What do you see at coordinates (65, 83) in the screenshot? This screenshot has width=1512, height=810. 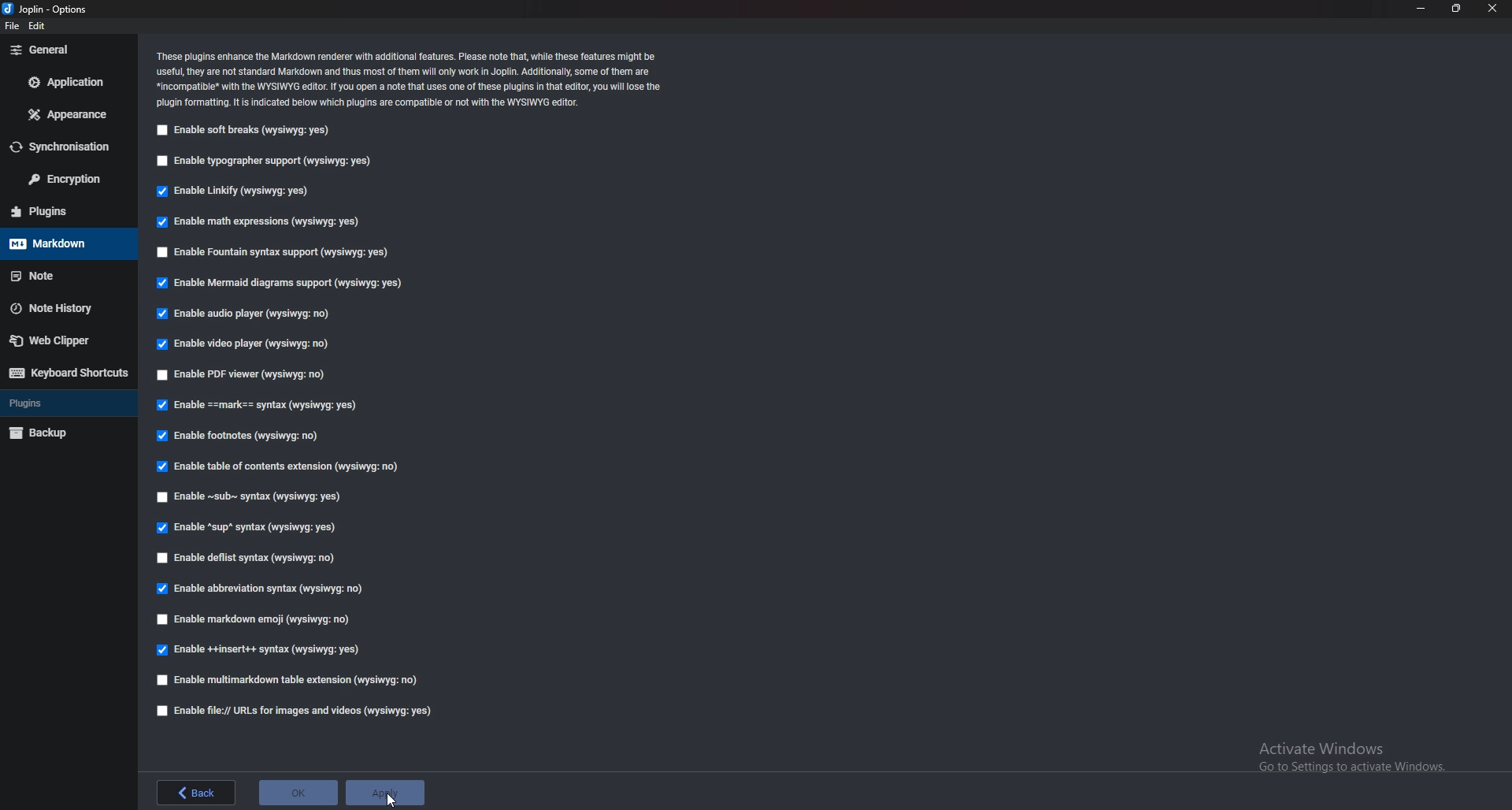 I see `Application` at bounding box center [65, 83].